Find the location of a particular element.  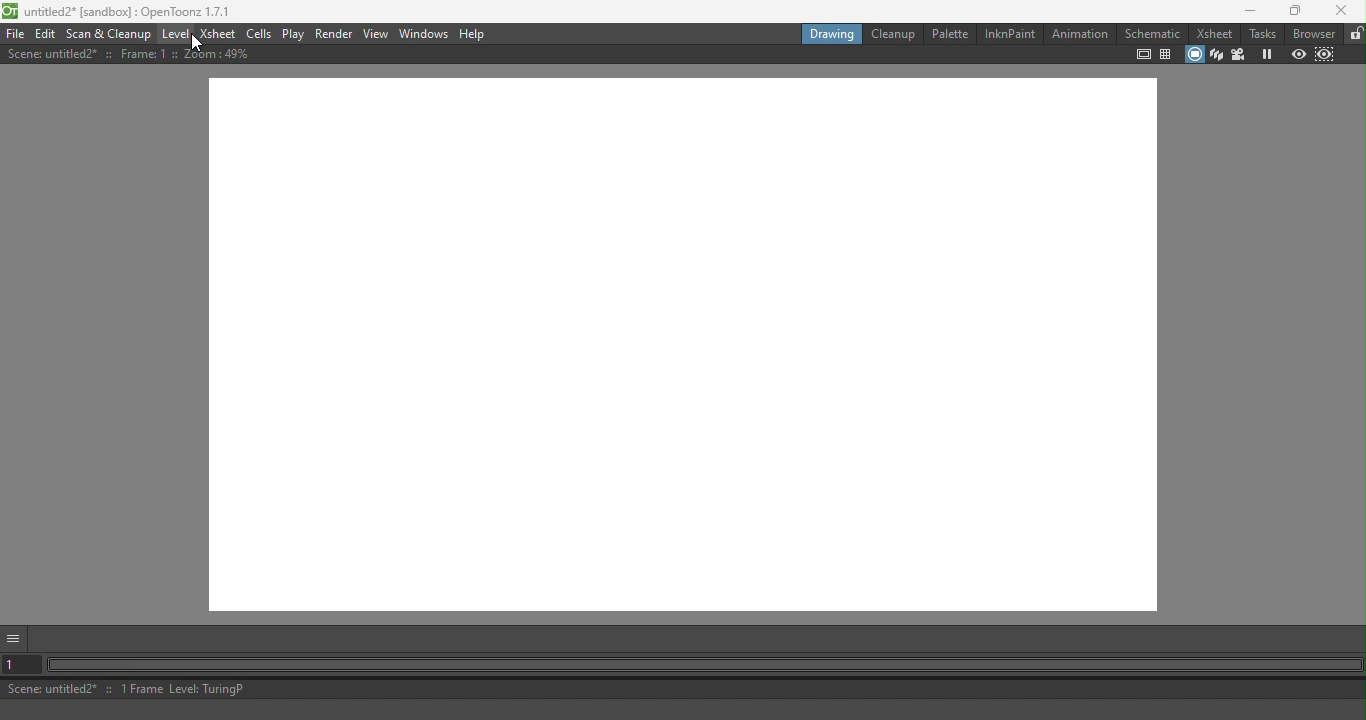

Preview is located at coordinates (1297, 55).